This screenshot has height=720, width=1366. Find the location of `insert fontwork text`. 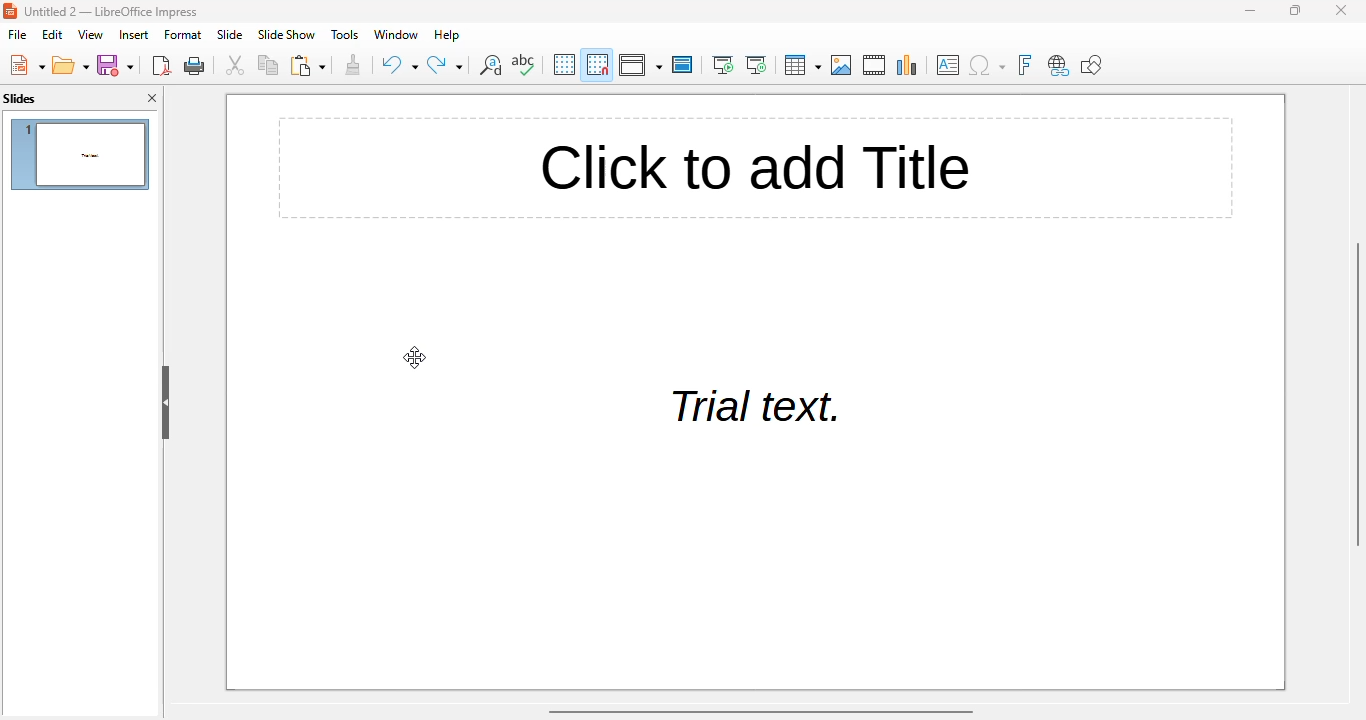

insert fontwork text is located at coordinates (1024, 64).